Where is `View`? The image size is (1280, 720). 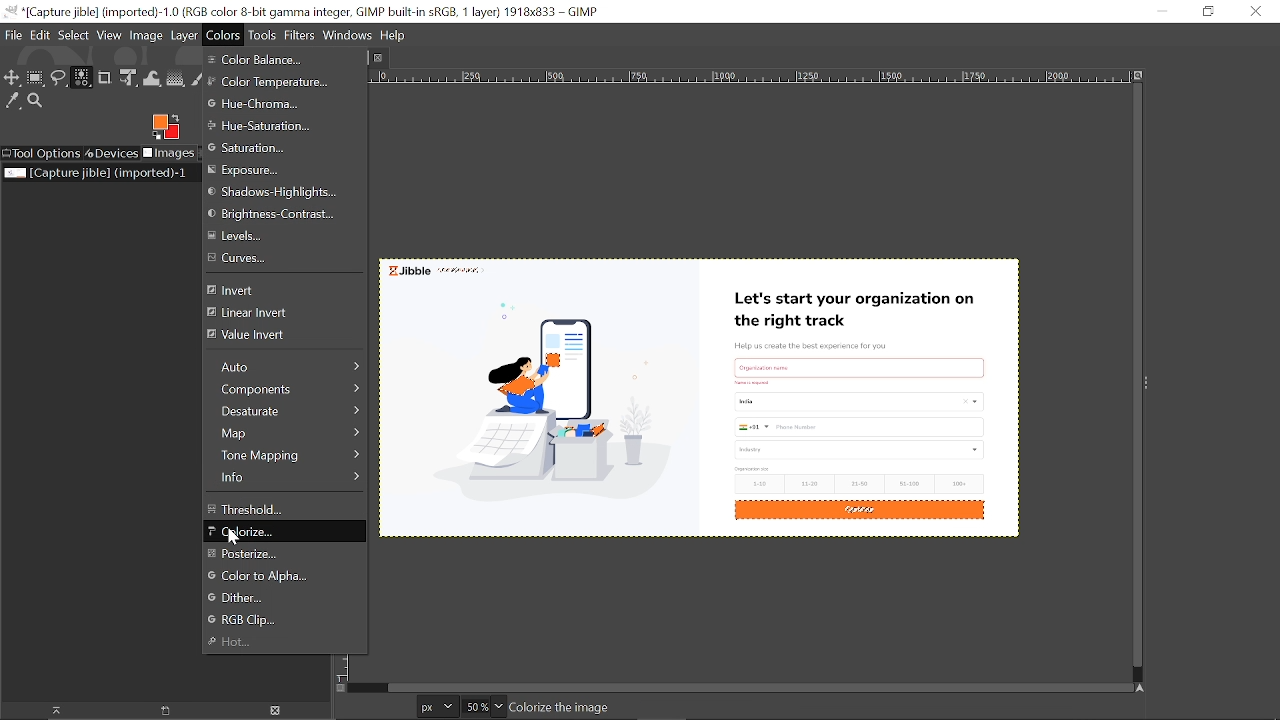
View is located at coordinates (110, 35).